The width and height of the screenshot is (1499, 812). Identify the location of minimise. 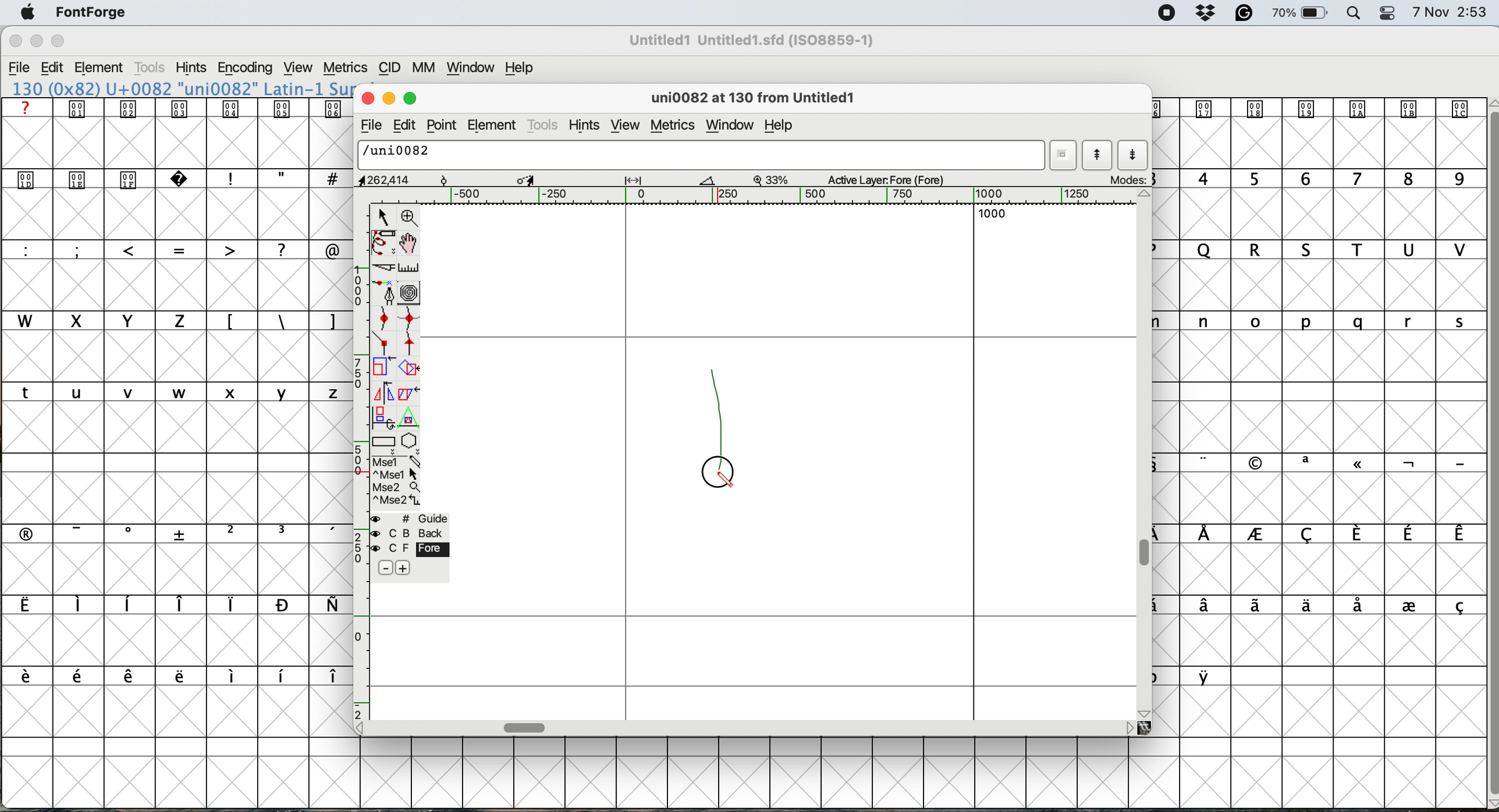
(33, 43).